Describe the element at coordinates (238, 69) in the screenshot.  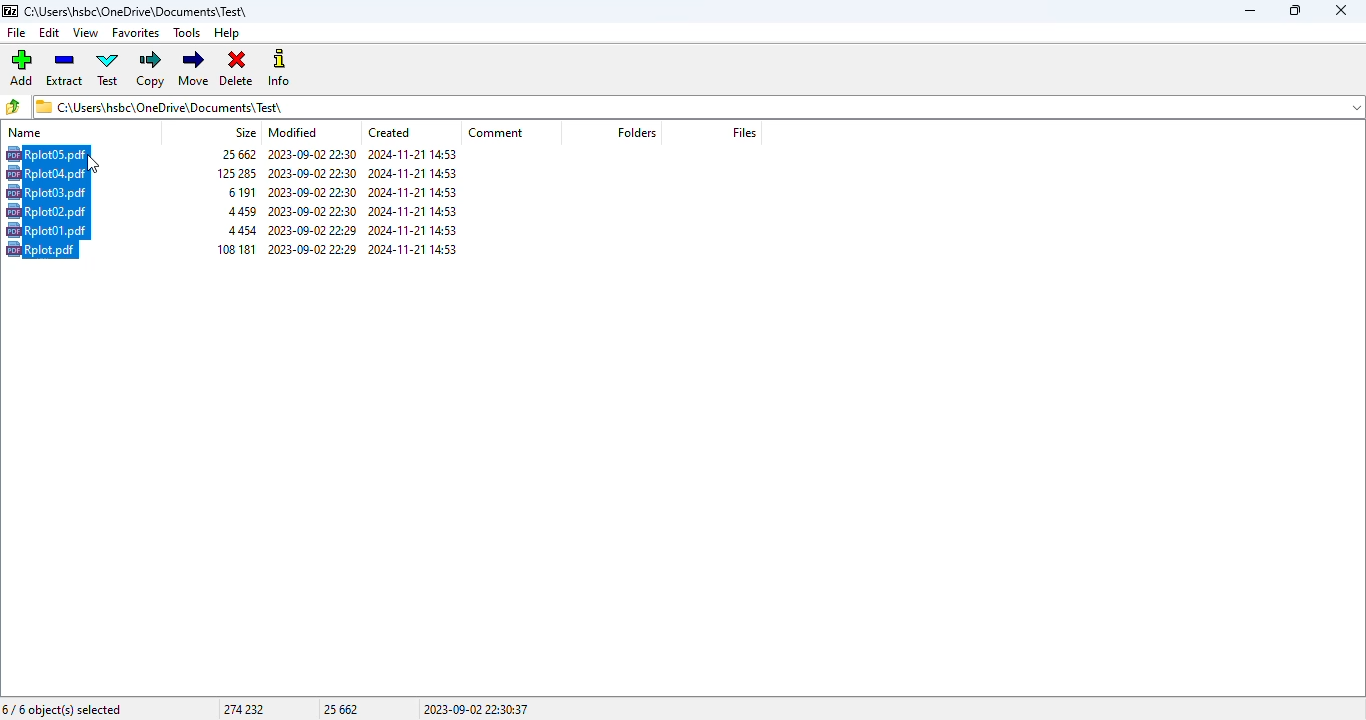
I see `delete` at that location.